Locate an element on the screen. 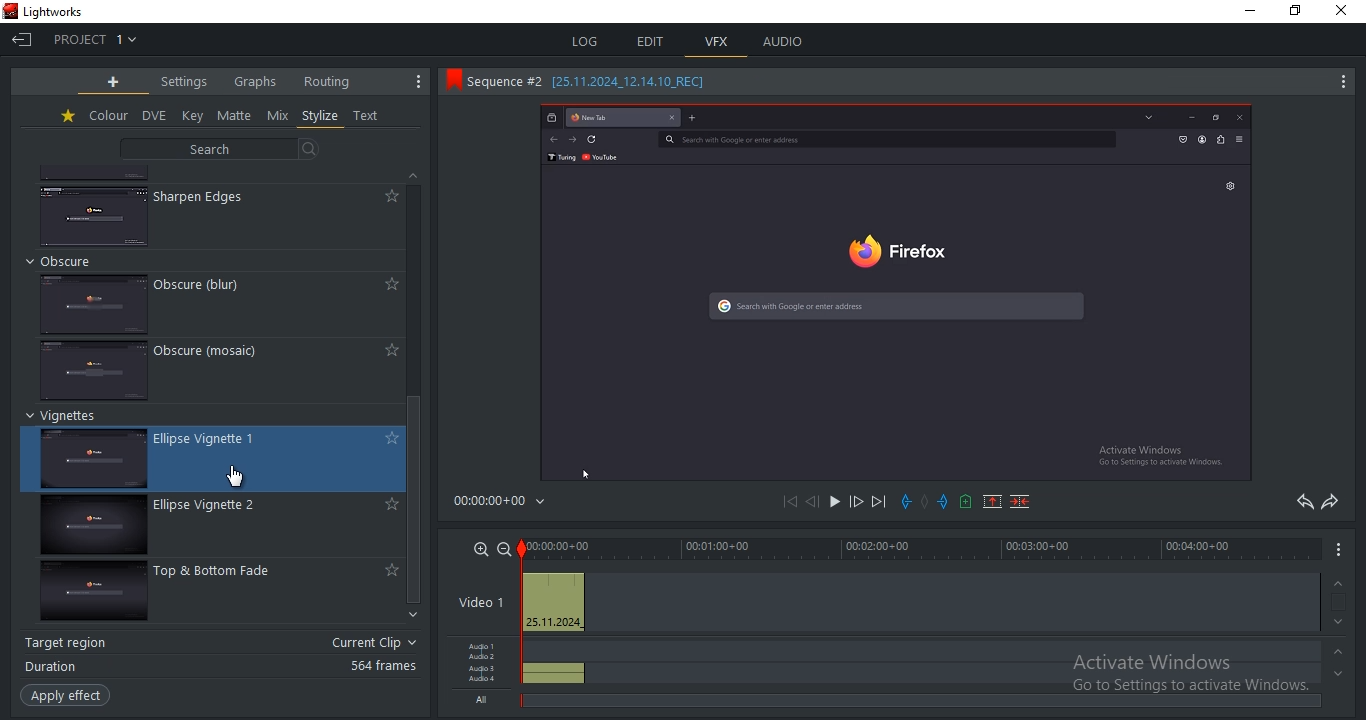 This screenshot has width=1366, height=720. selection cursor is located at coordinates (237, 476).